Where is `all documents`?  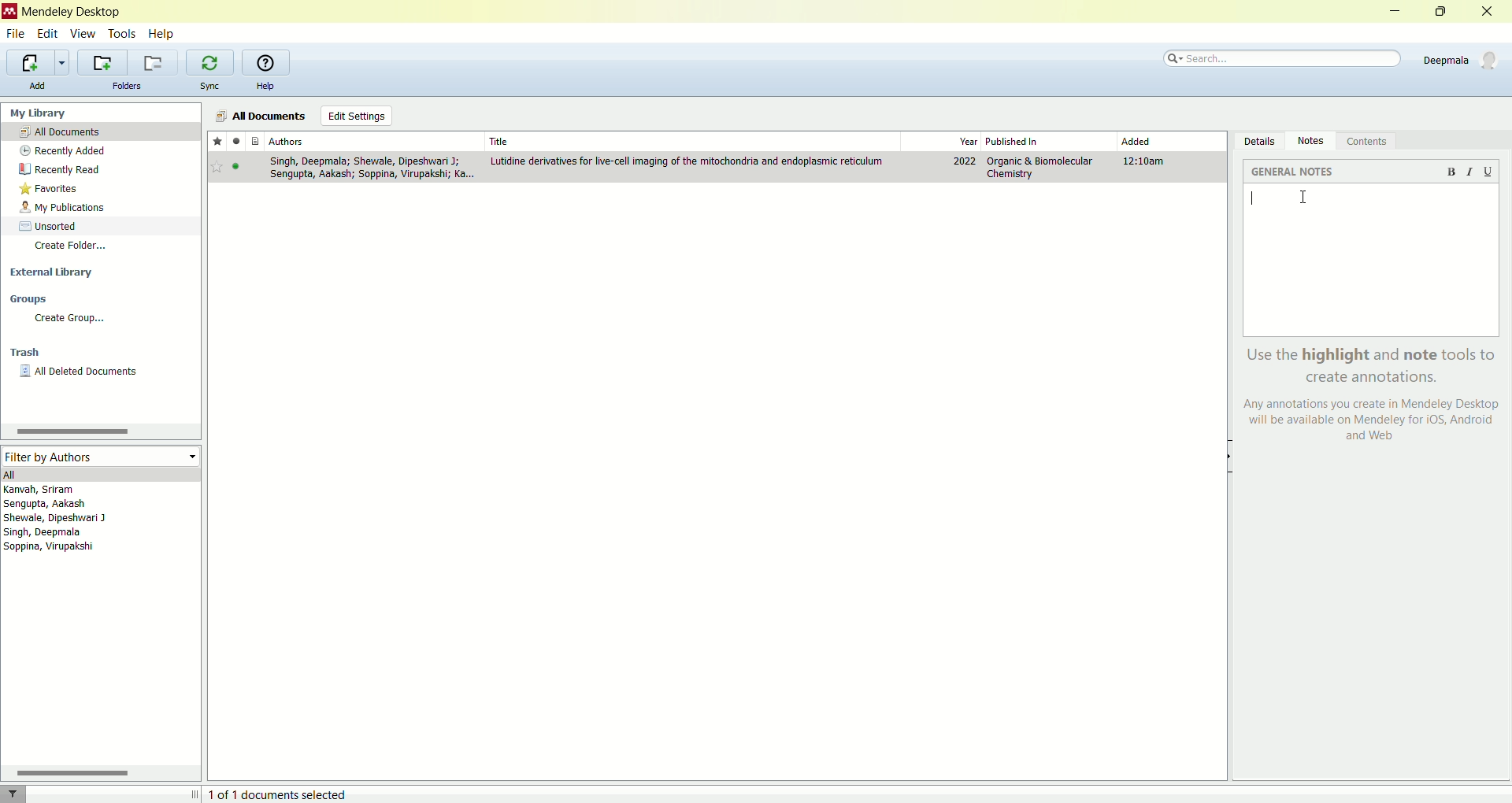
all documents is located at coordinates (100, 131).